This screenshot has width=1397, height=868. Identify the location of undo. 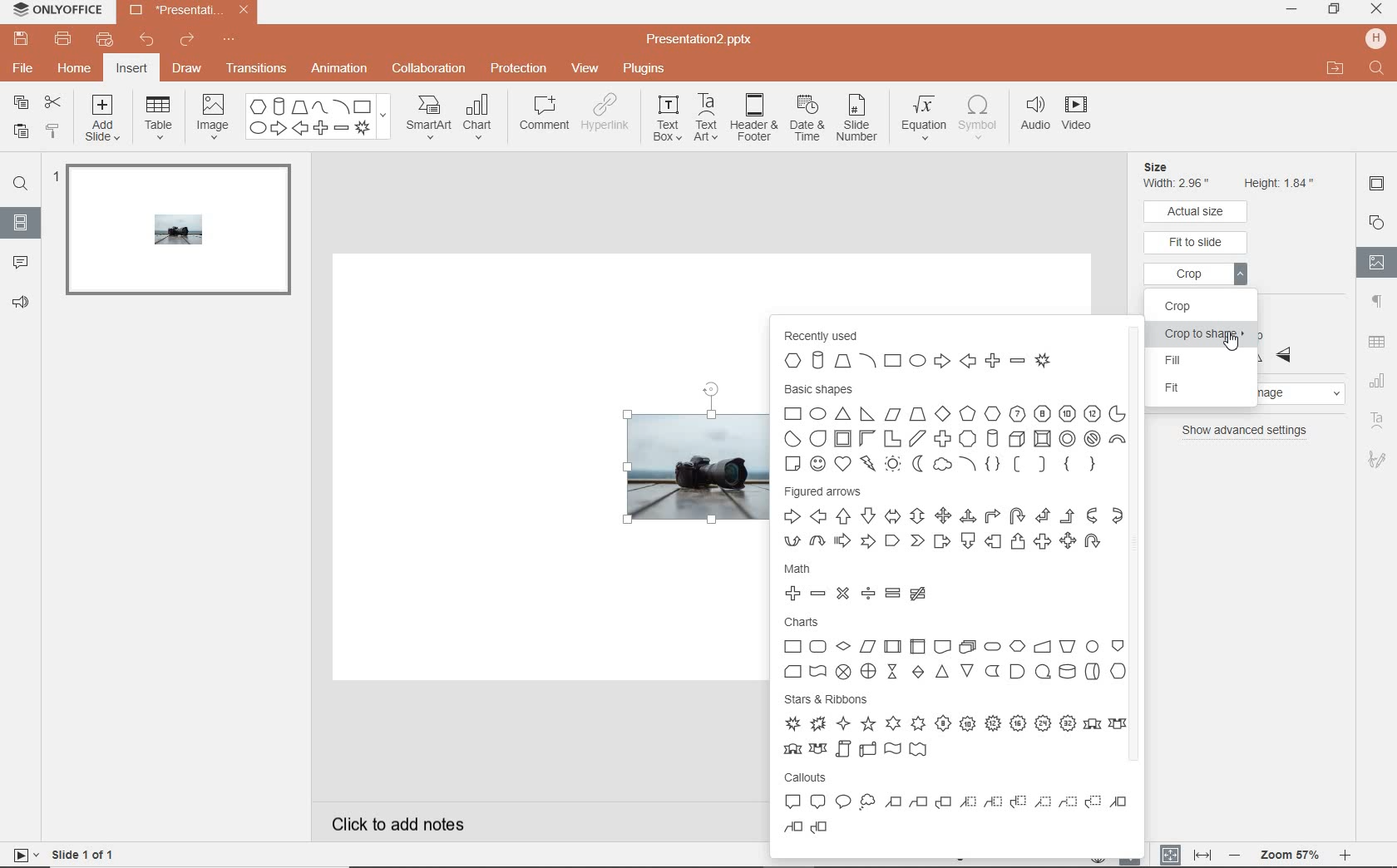
(147, 40).